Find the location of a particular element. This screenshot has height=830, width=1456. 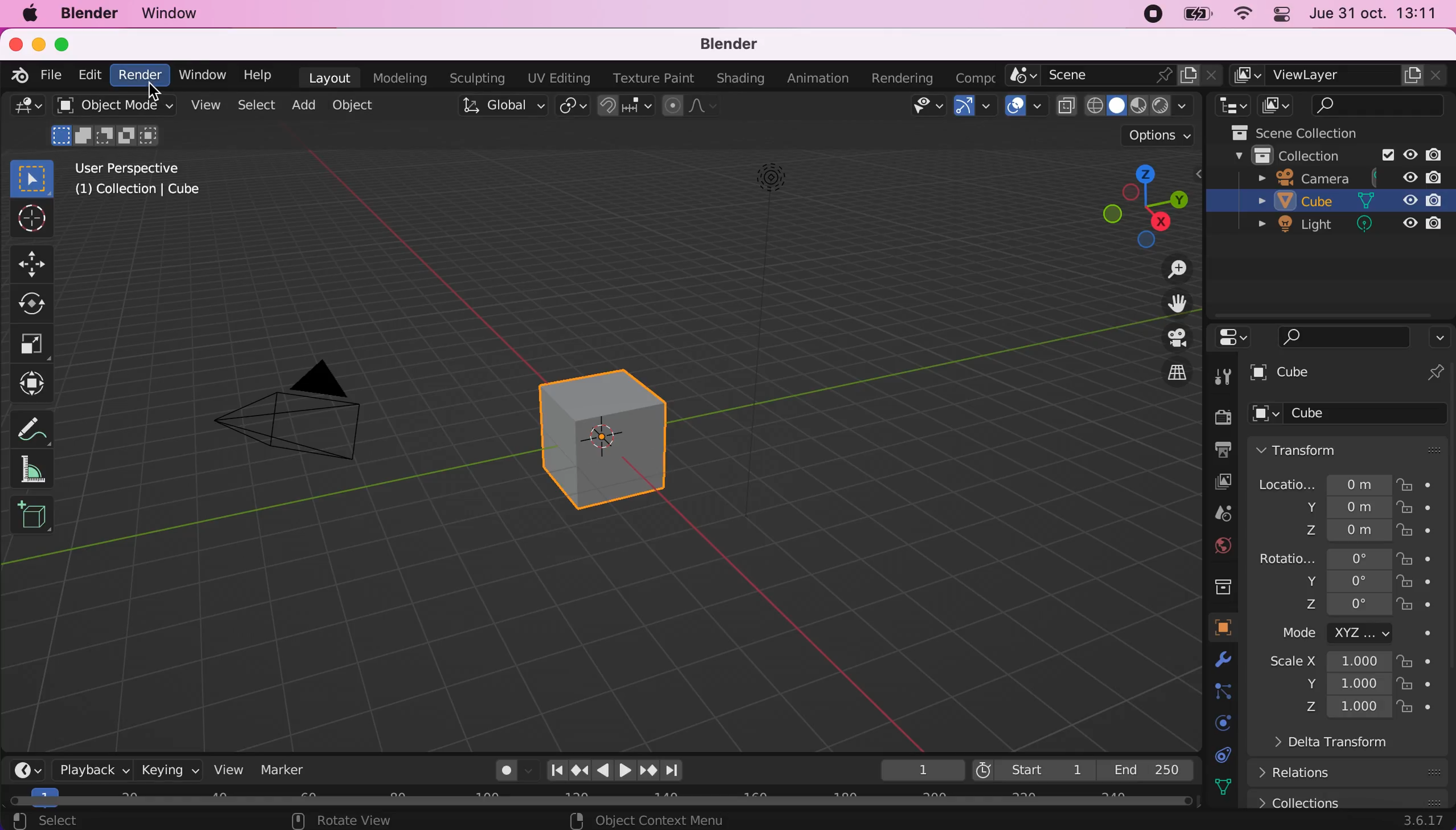

object is located at coordinates (355, 105).